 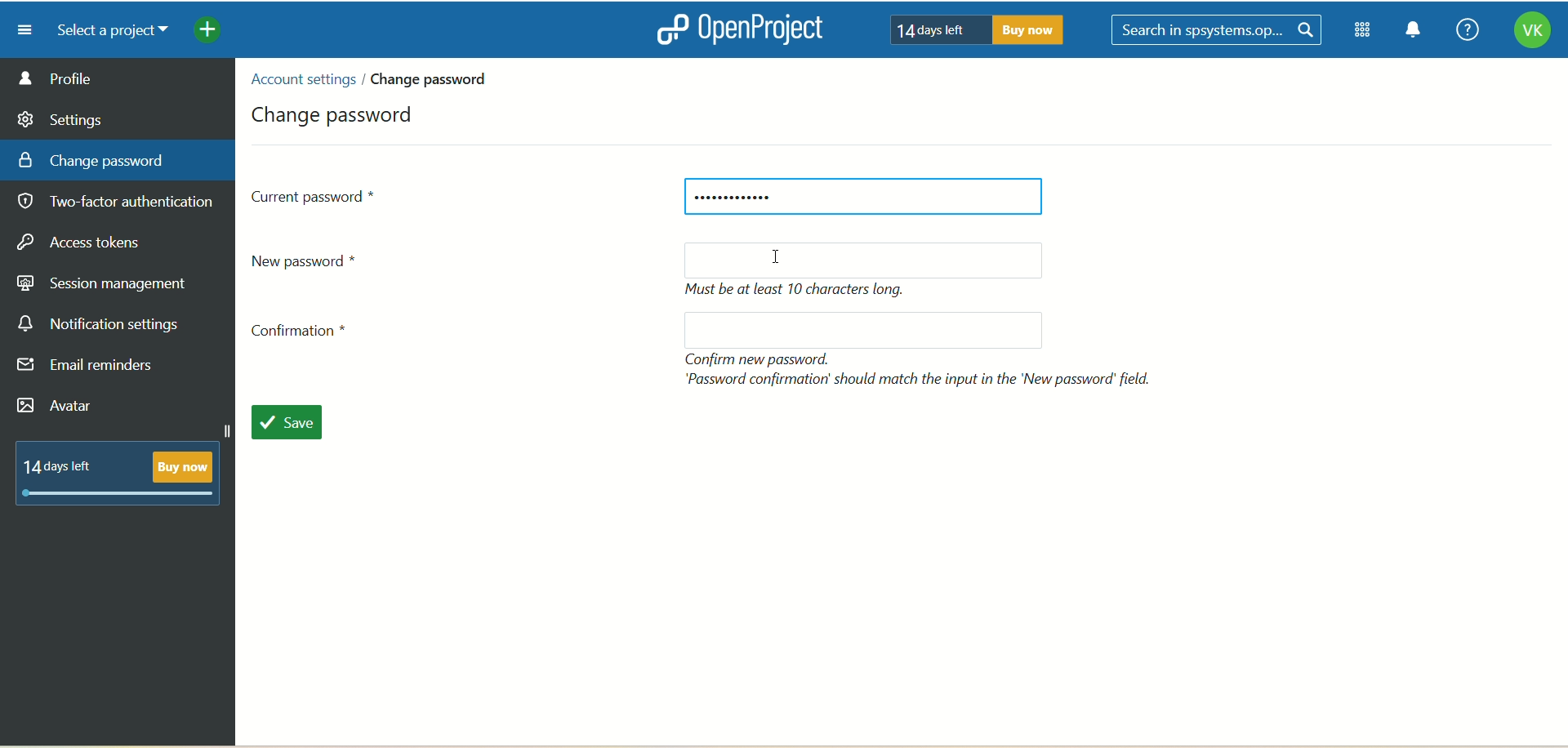 What do you see at coordinates (336, 112) in the screenshot?
I see `change password` at bounding box center [336, 112].